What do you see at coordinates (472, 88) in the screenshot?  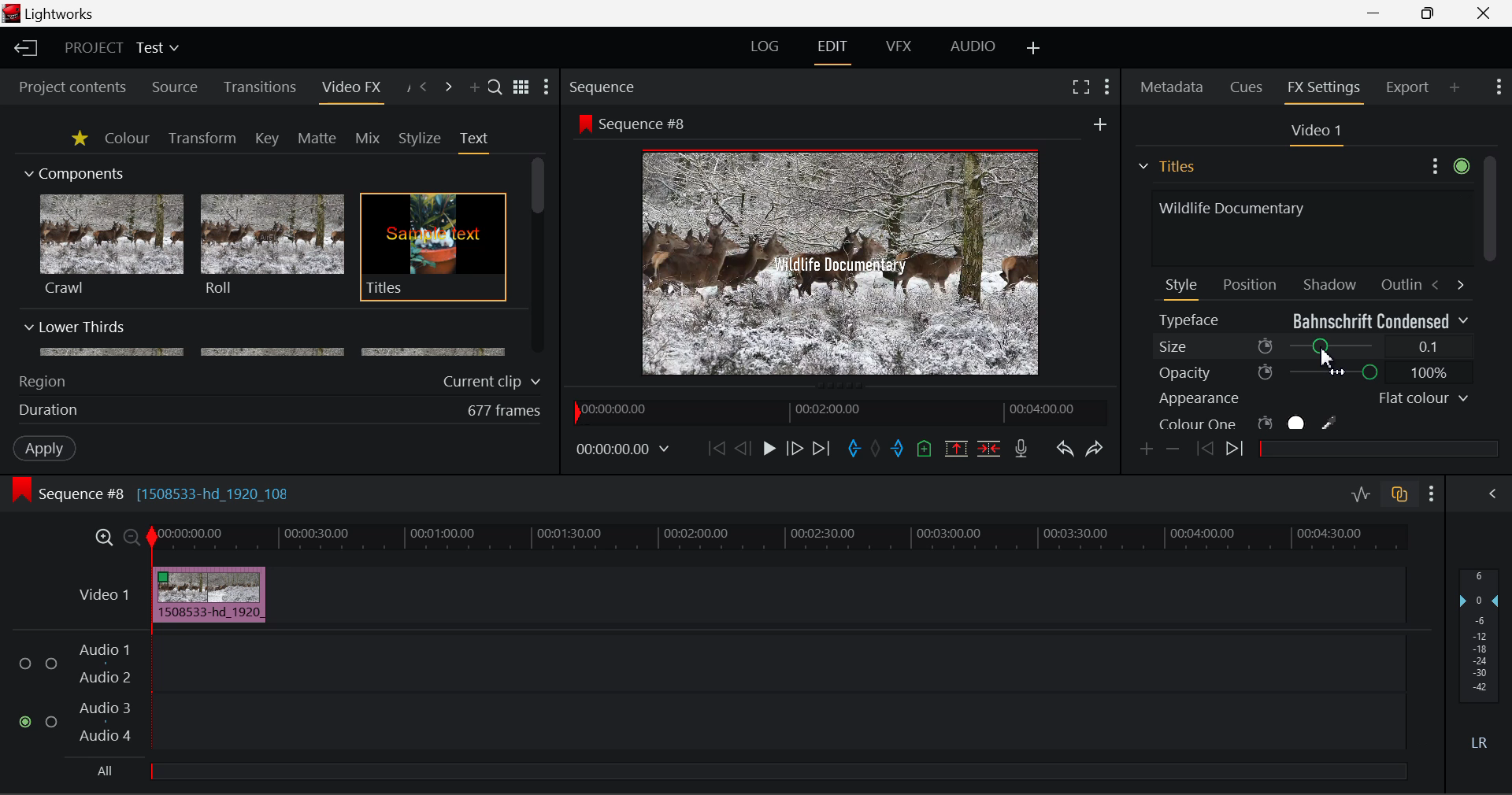 I see `Add Panel` at bounding box center [472, 88].